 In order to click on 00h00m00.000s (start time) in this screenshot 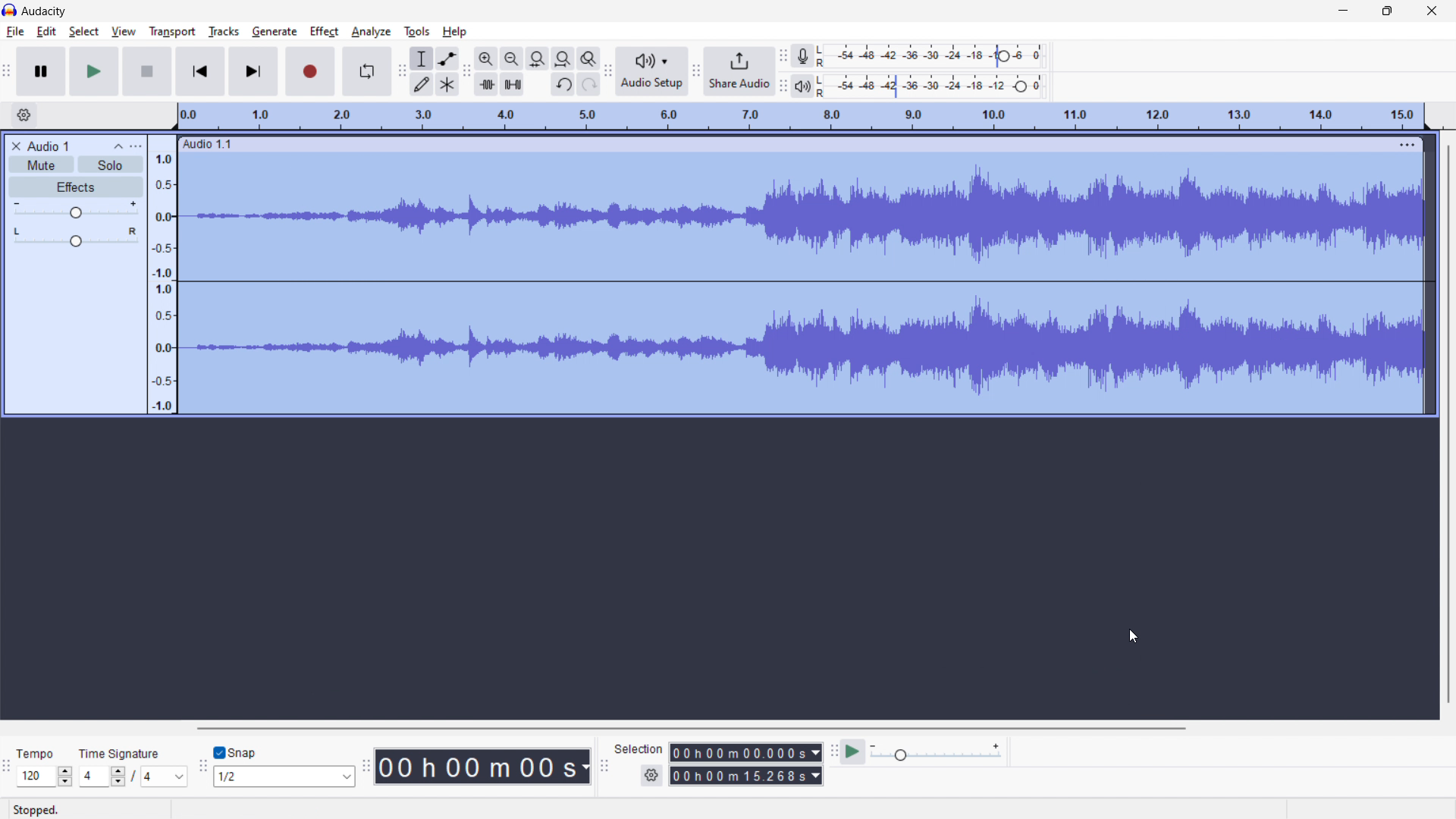, I will do `click(745, 751)`.